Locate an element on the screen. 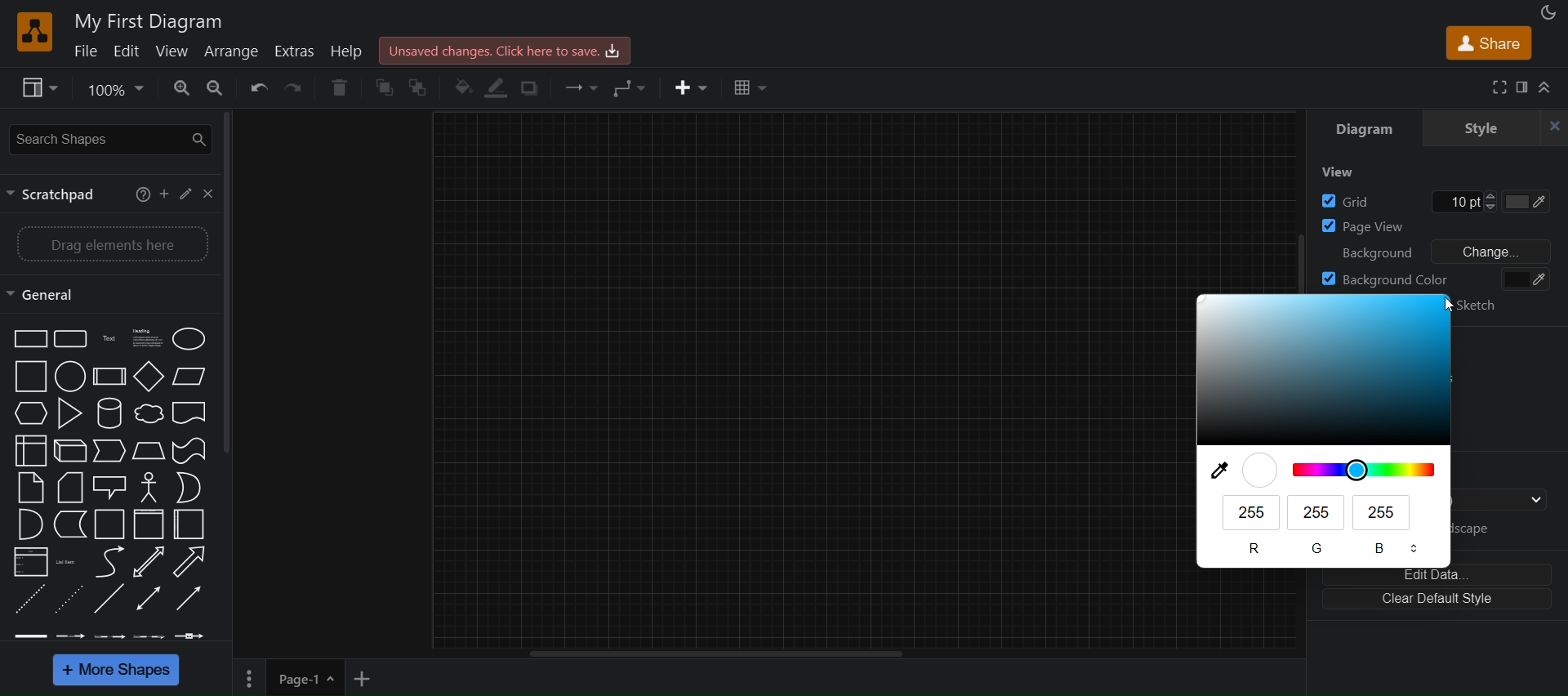 This screenshot has height=696, width=1568. diagram is located at coordinates (1365, 125).